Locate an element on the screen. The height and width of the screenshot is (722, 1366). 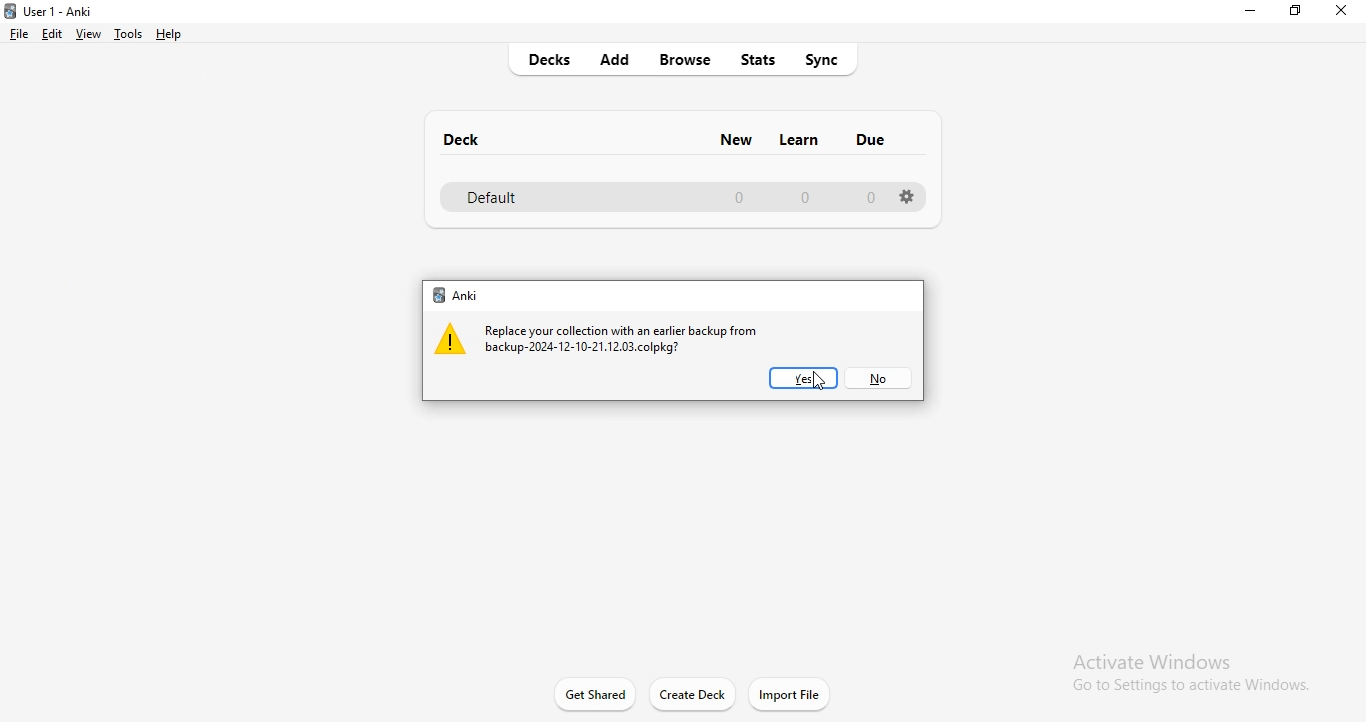
learn is located at coordinates (801, 137).